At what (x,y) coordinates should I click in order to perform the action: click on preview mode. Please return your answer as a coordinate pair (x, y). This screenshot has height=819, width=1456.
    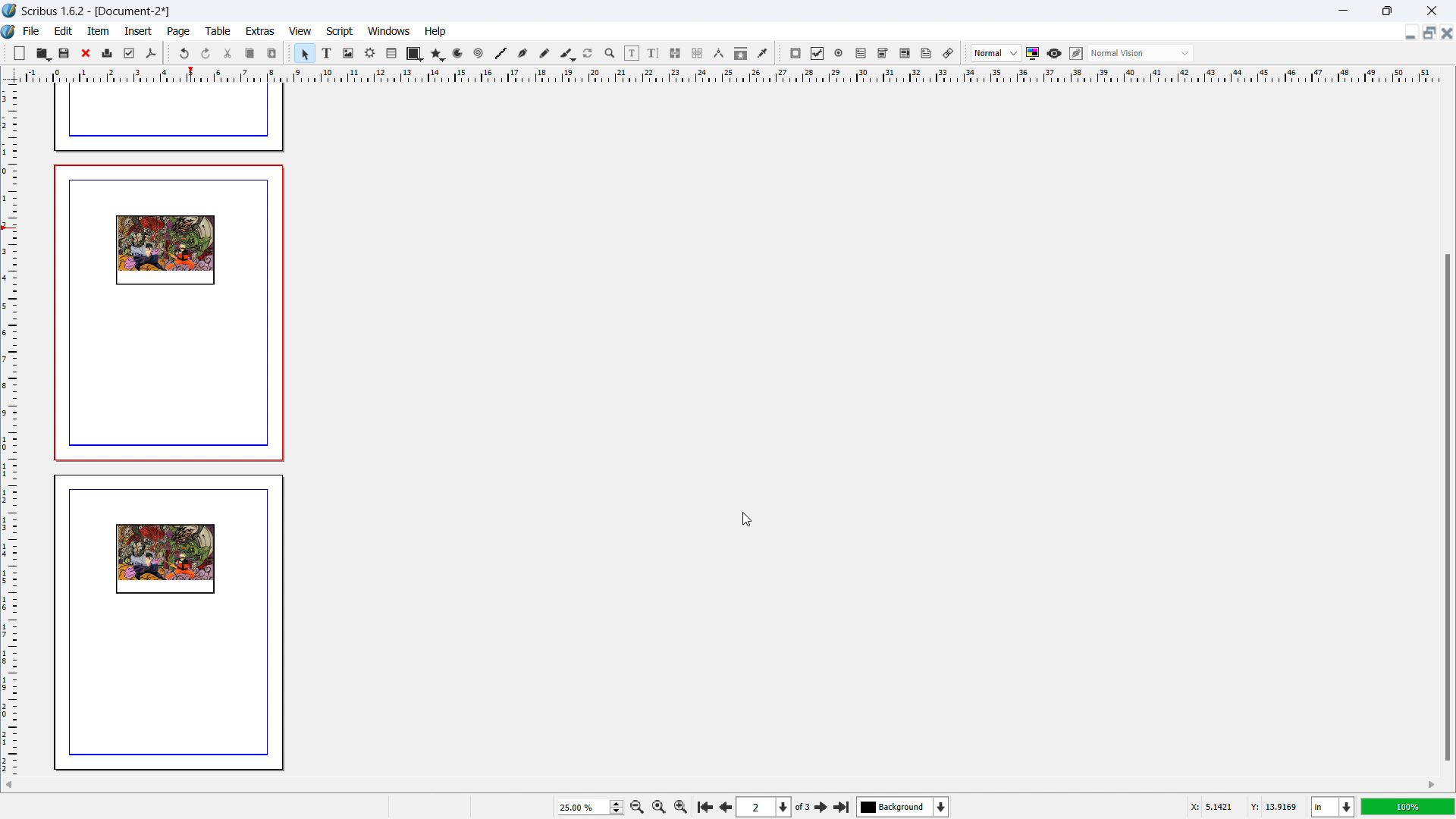
    Looking at the image, I should click on (1054, 54).